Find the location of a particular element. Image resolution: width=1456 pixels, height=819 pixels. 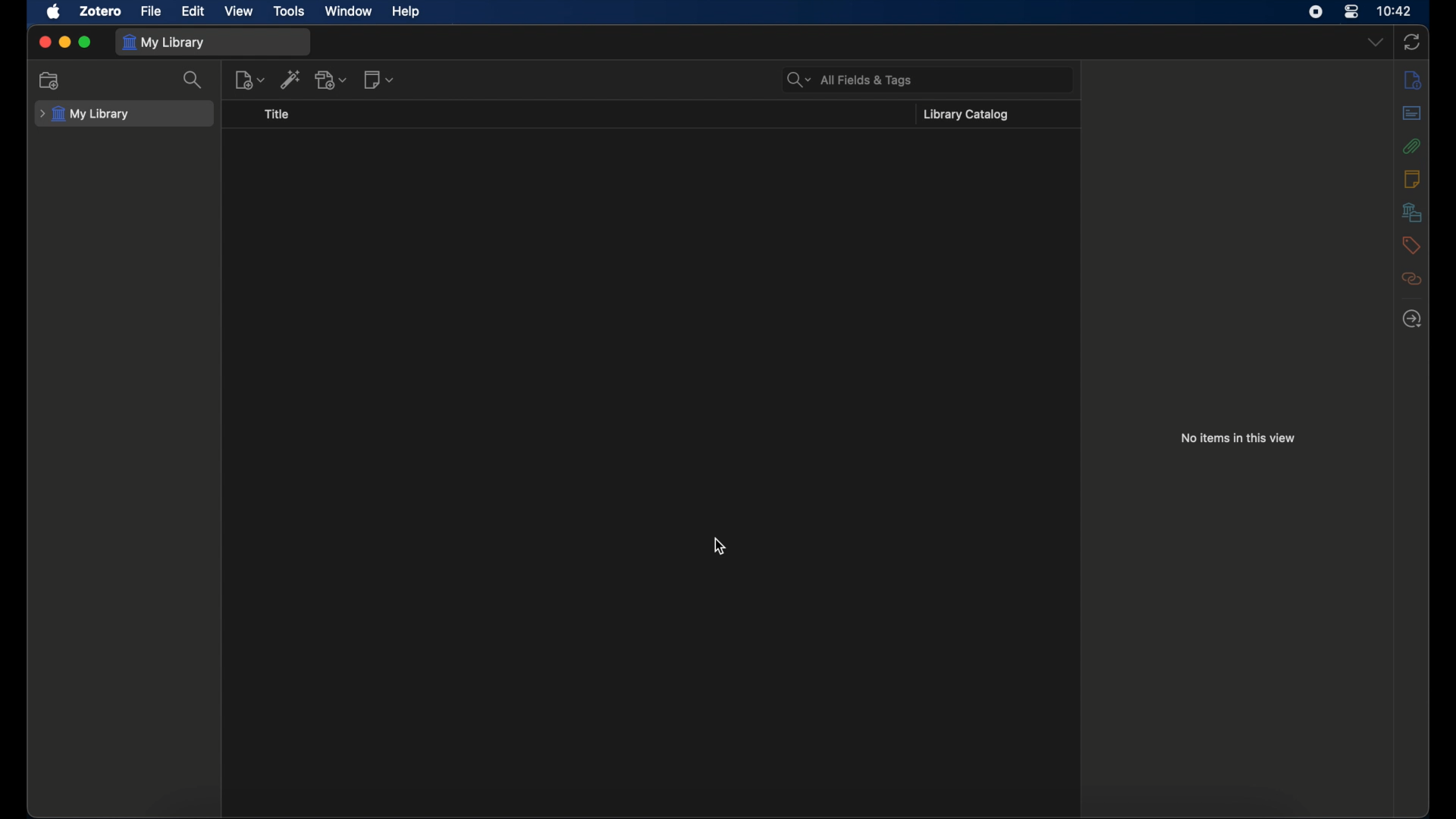

minimize is located at coordinates (64, 42).